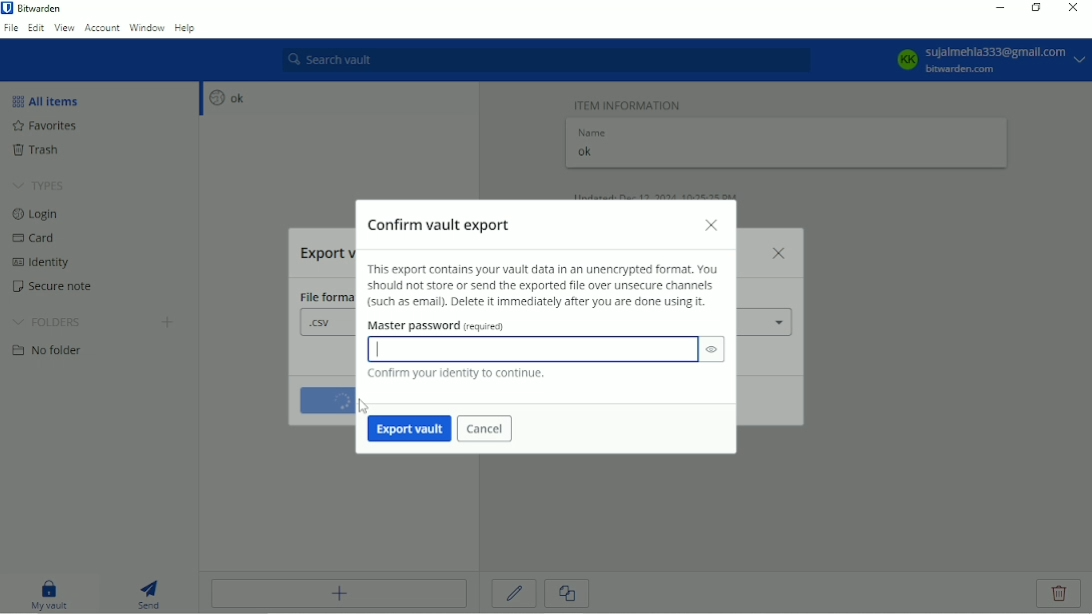 Image resolution: width=1092 pixels, height=614 pixels. I want to click on ok, so click(224, 98).